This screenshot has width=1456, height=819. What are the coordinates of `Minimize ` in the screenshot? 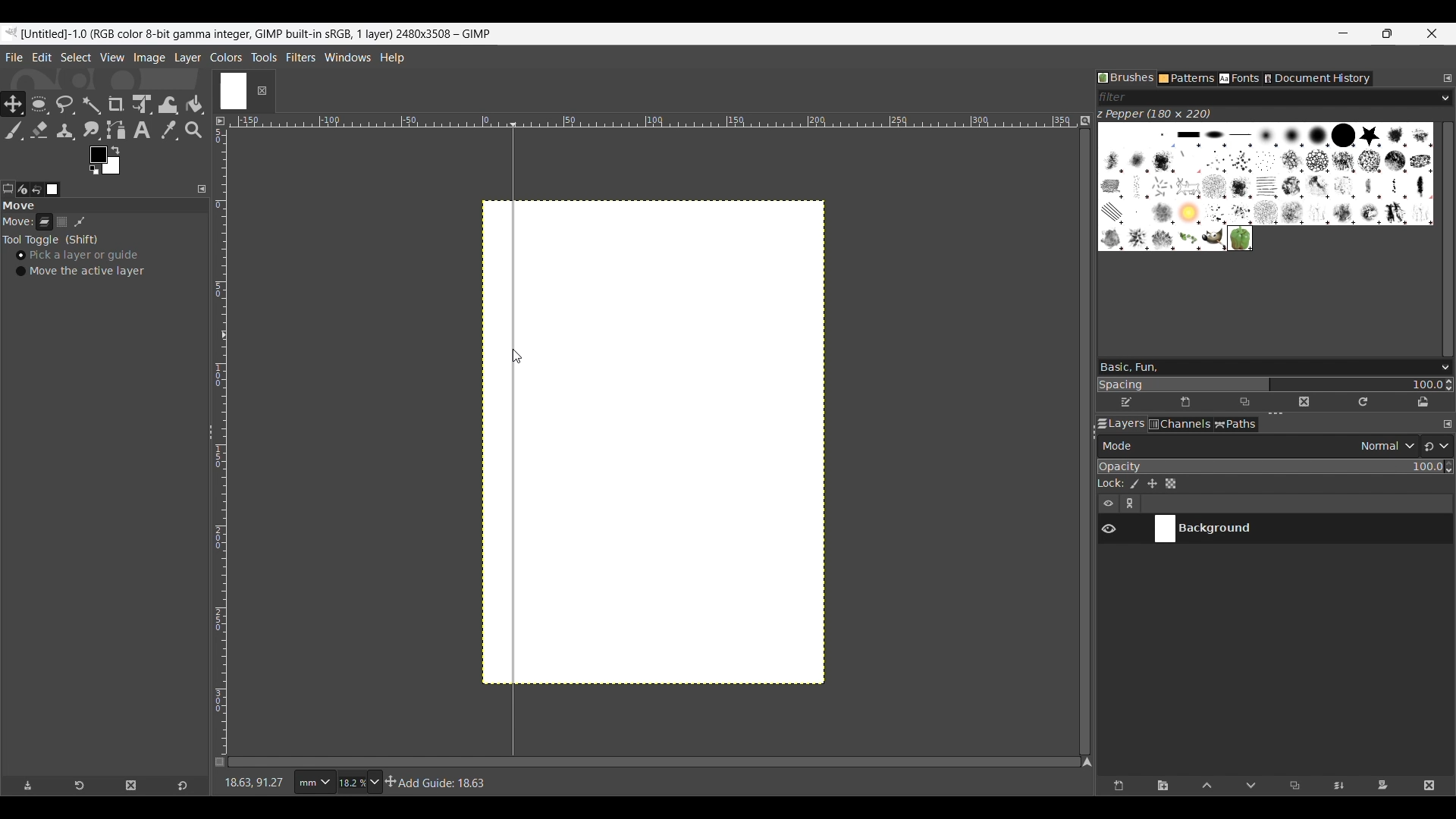 It's located at (1344, 33).